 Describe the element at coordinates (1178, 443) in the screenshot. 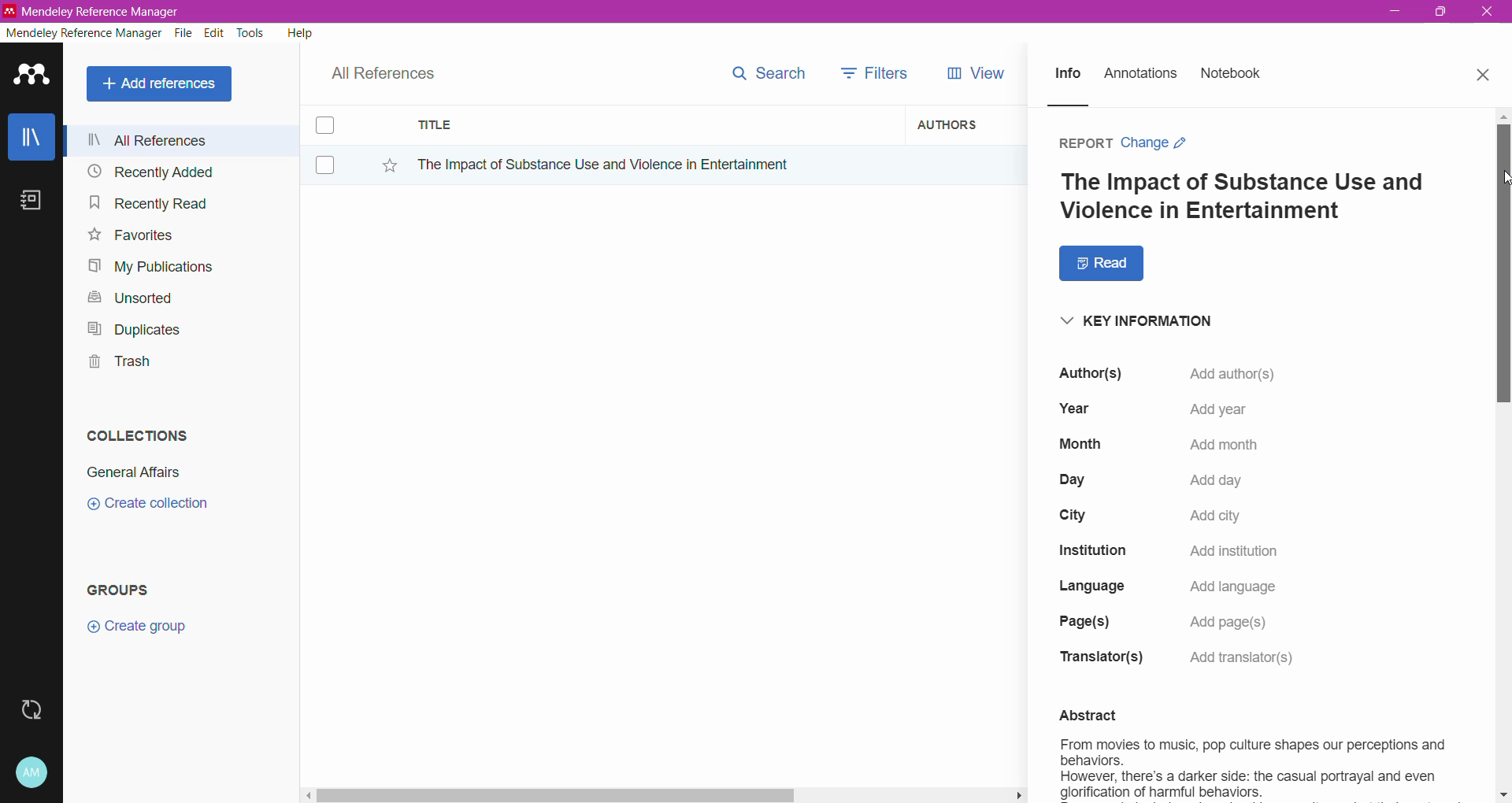

I see `month` at that location.